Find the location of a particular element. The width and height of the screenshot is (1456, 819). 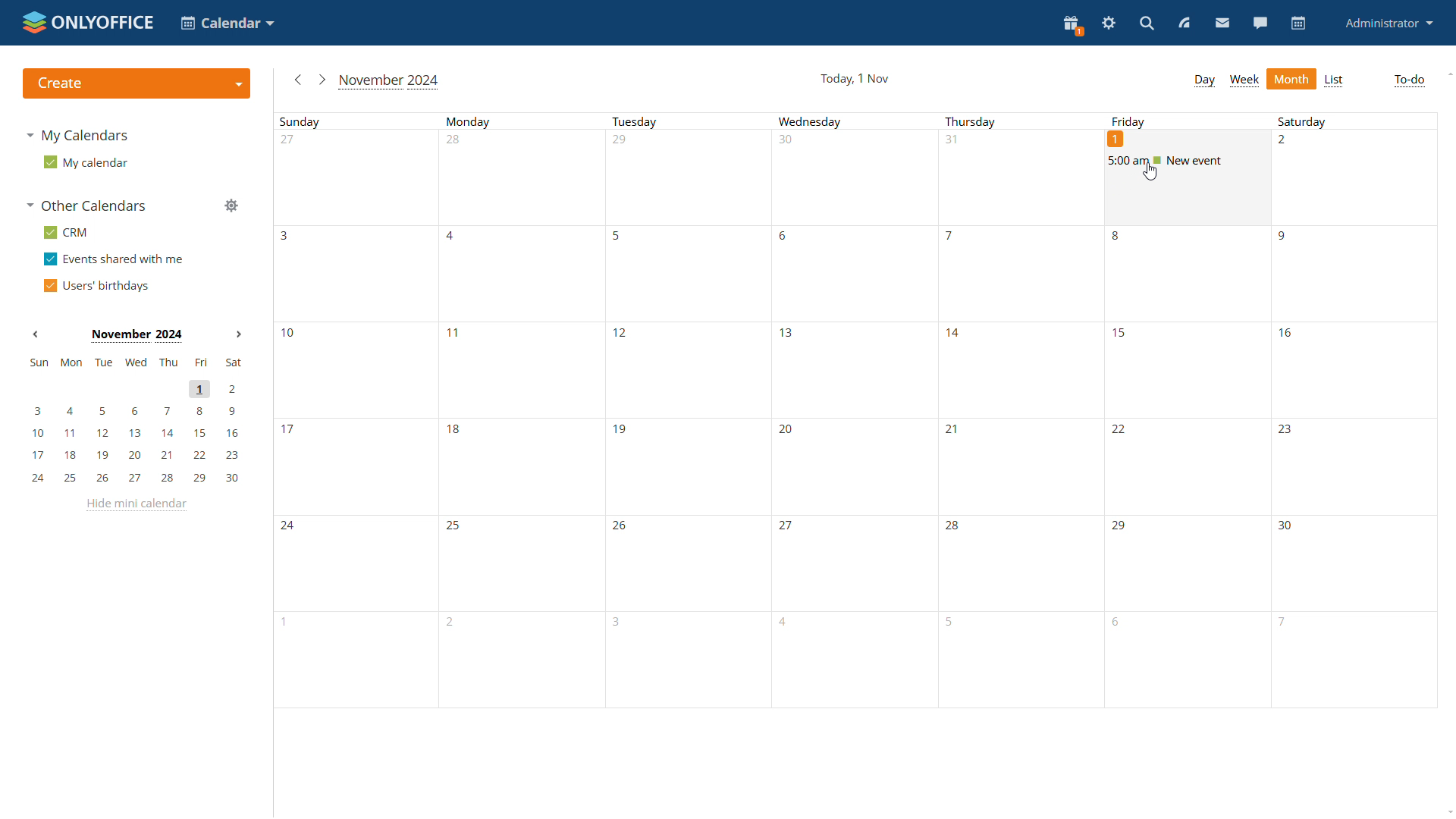

existing event on friday 1st november is located at coordinates (1189, 162).